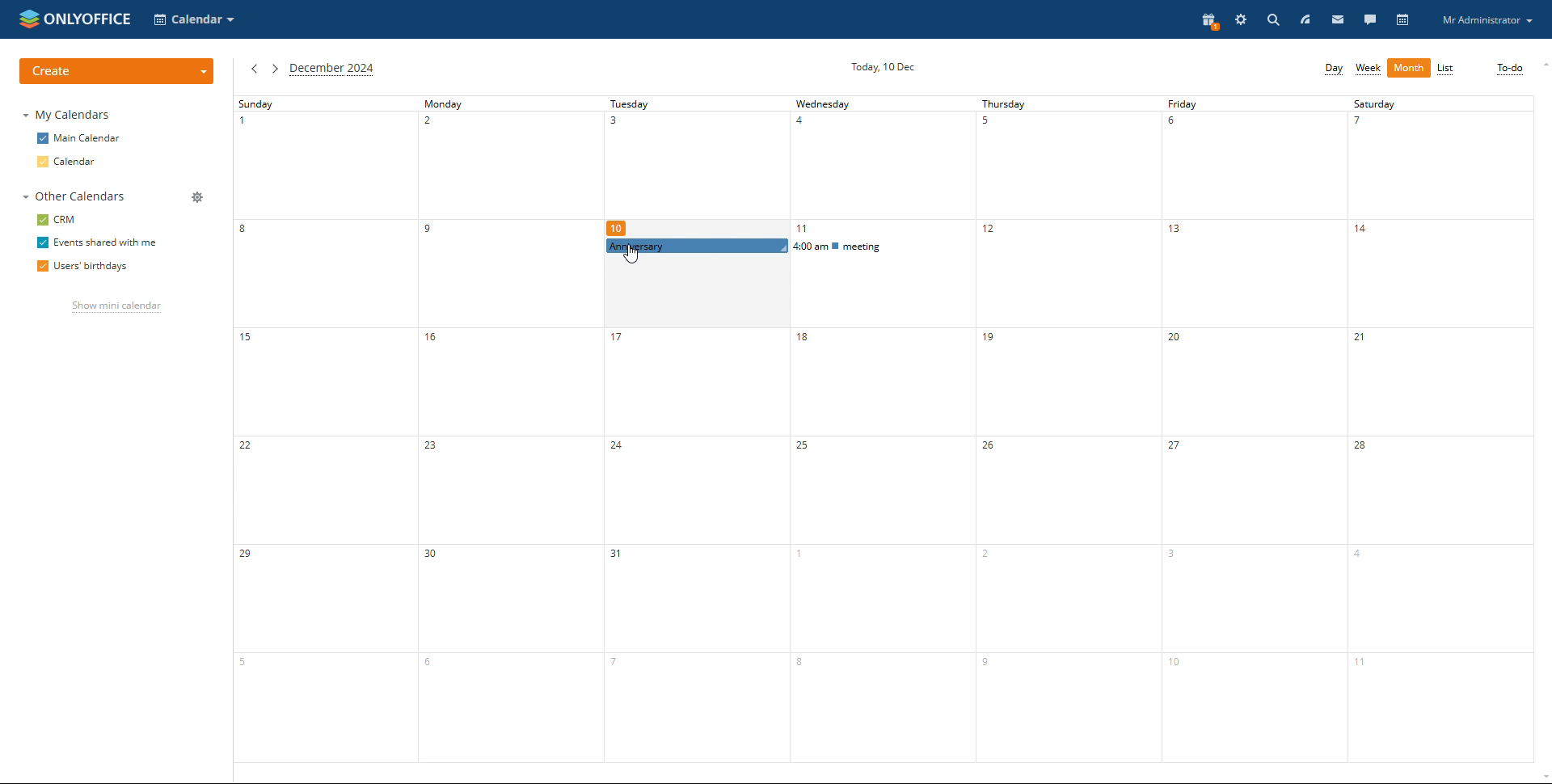  Describe the element at coordinates (1403, 20) in the screenshot. I see `calendar` at that location.